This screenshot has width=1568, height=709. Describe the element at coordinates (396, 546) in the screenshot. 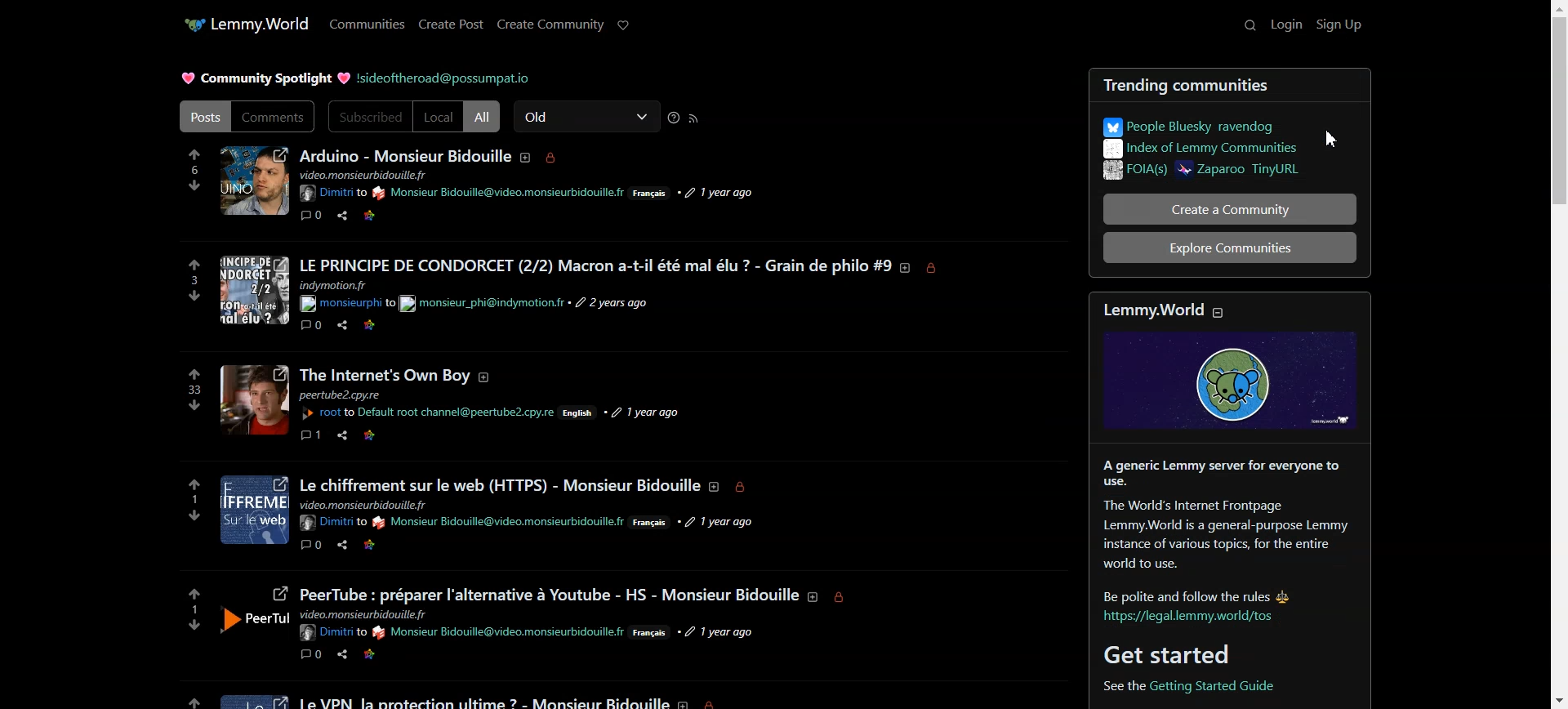

I see `save` at that location.